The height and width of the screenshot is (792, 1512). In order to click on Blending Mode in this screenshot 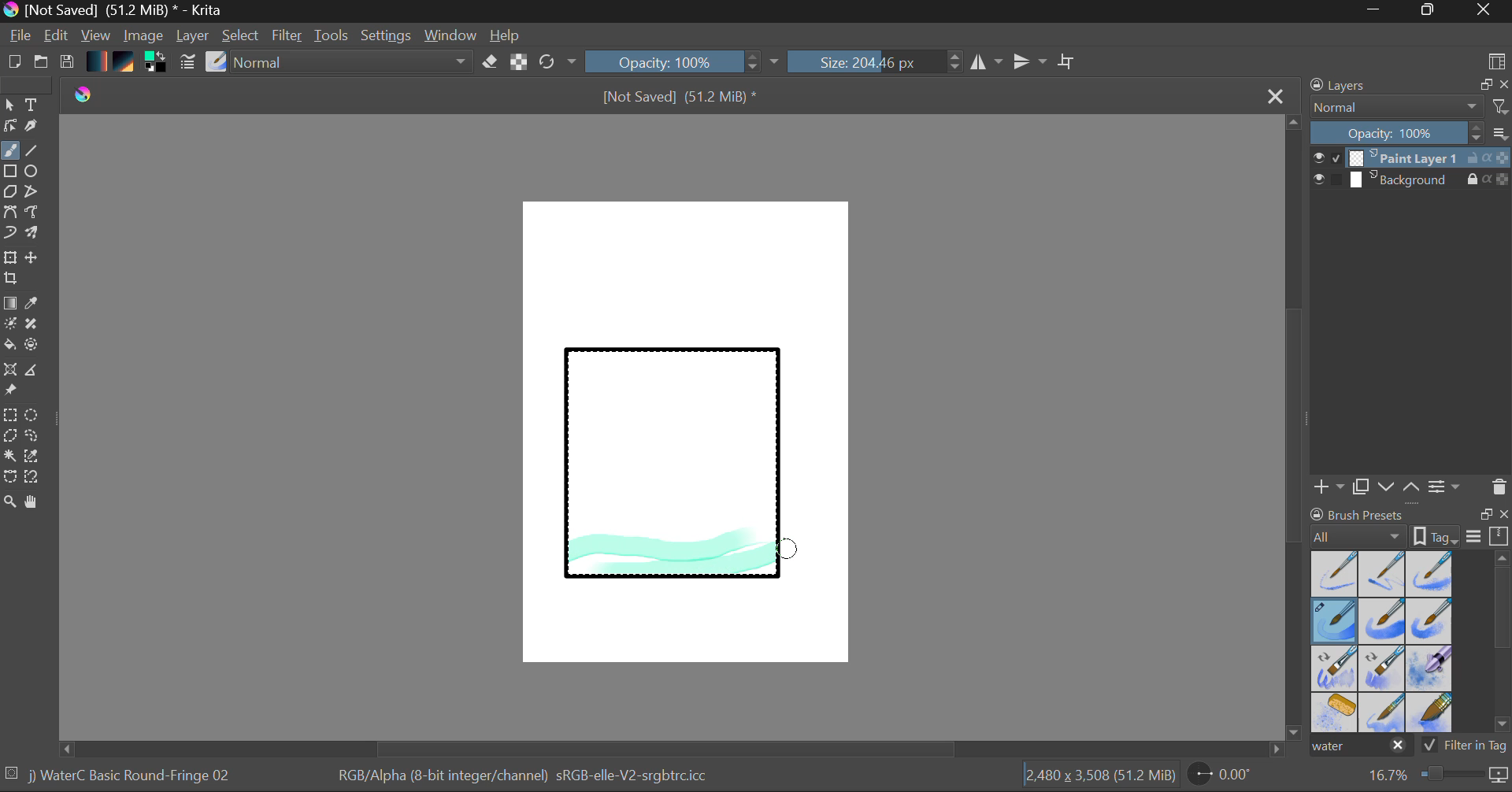, I will do `click(1410, 107)`.